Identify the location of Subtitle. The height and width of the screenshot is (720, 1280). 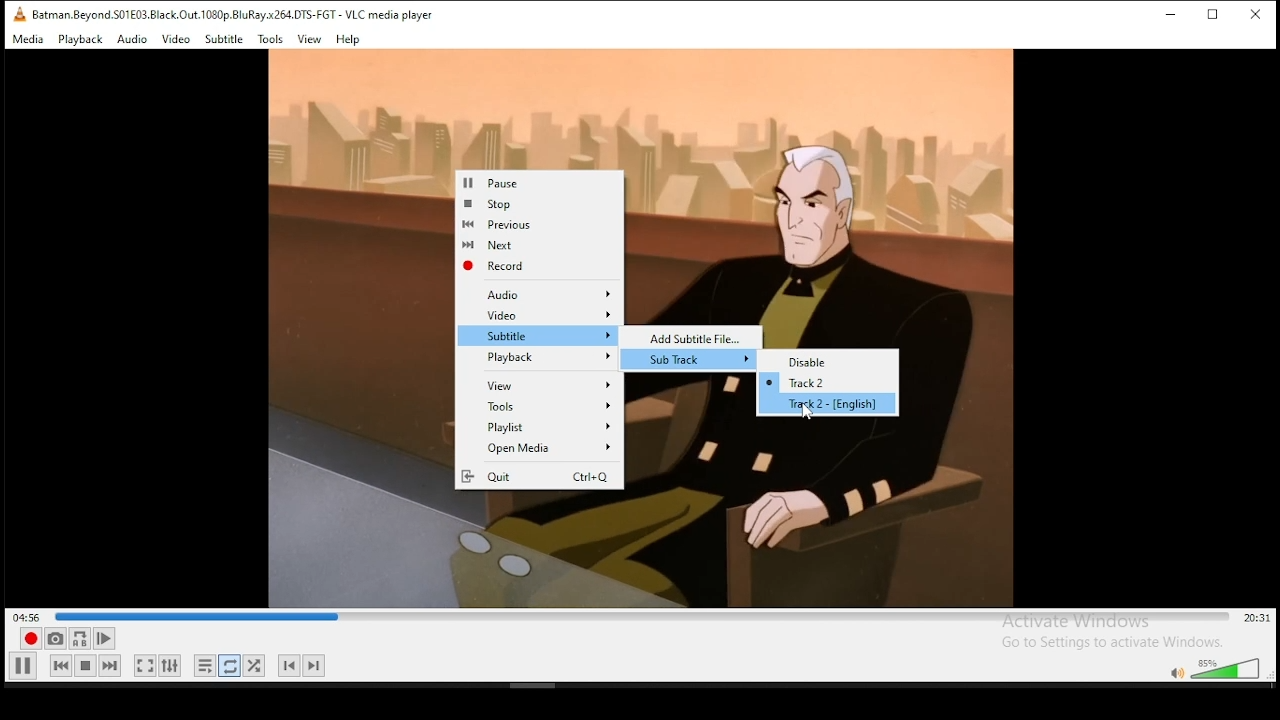
(543, 335).